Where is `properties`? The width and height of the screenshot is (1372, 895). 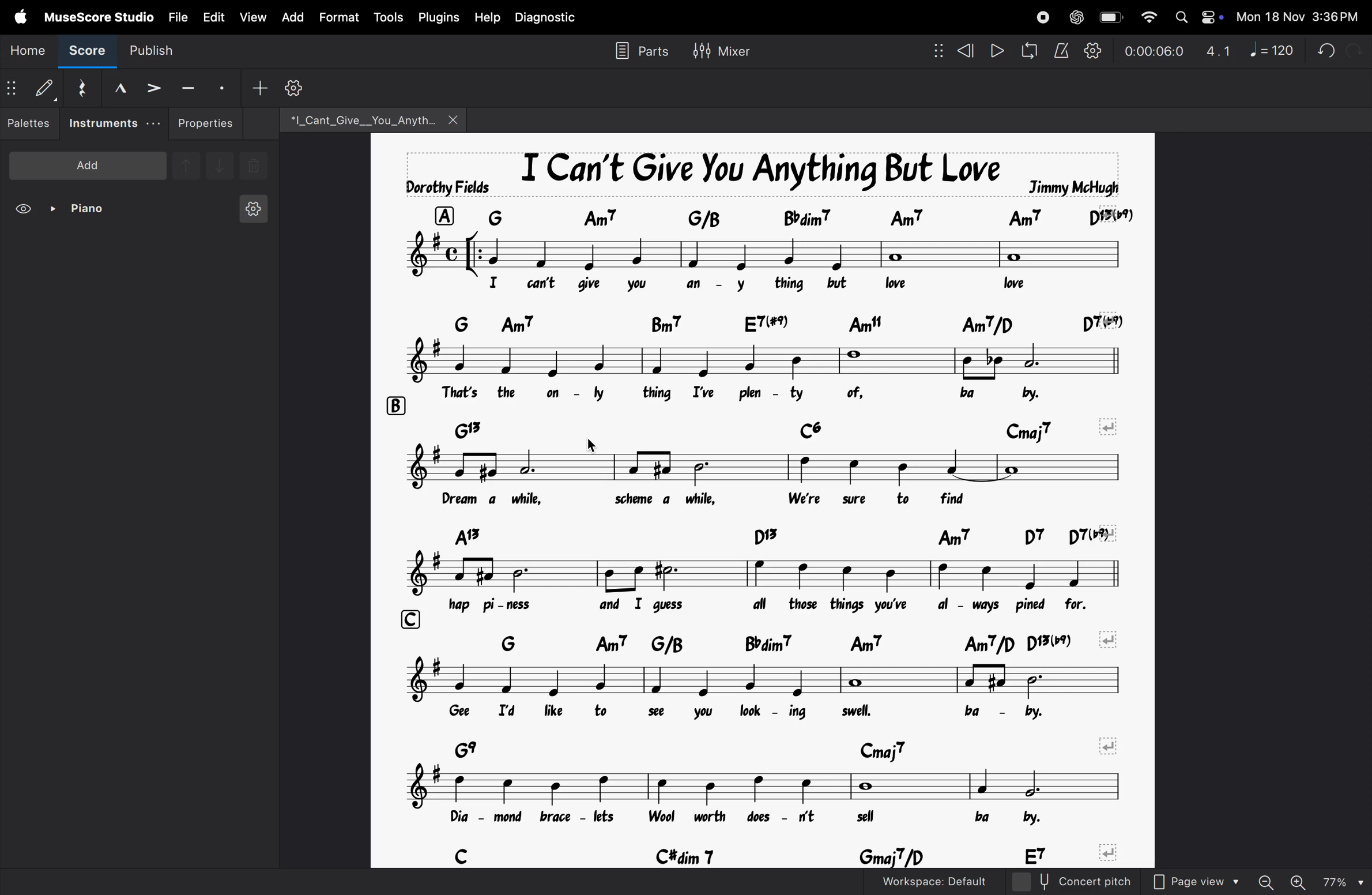
properties is located at coordinates (208, 123).